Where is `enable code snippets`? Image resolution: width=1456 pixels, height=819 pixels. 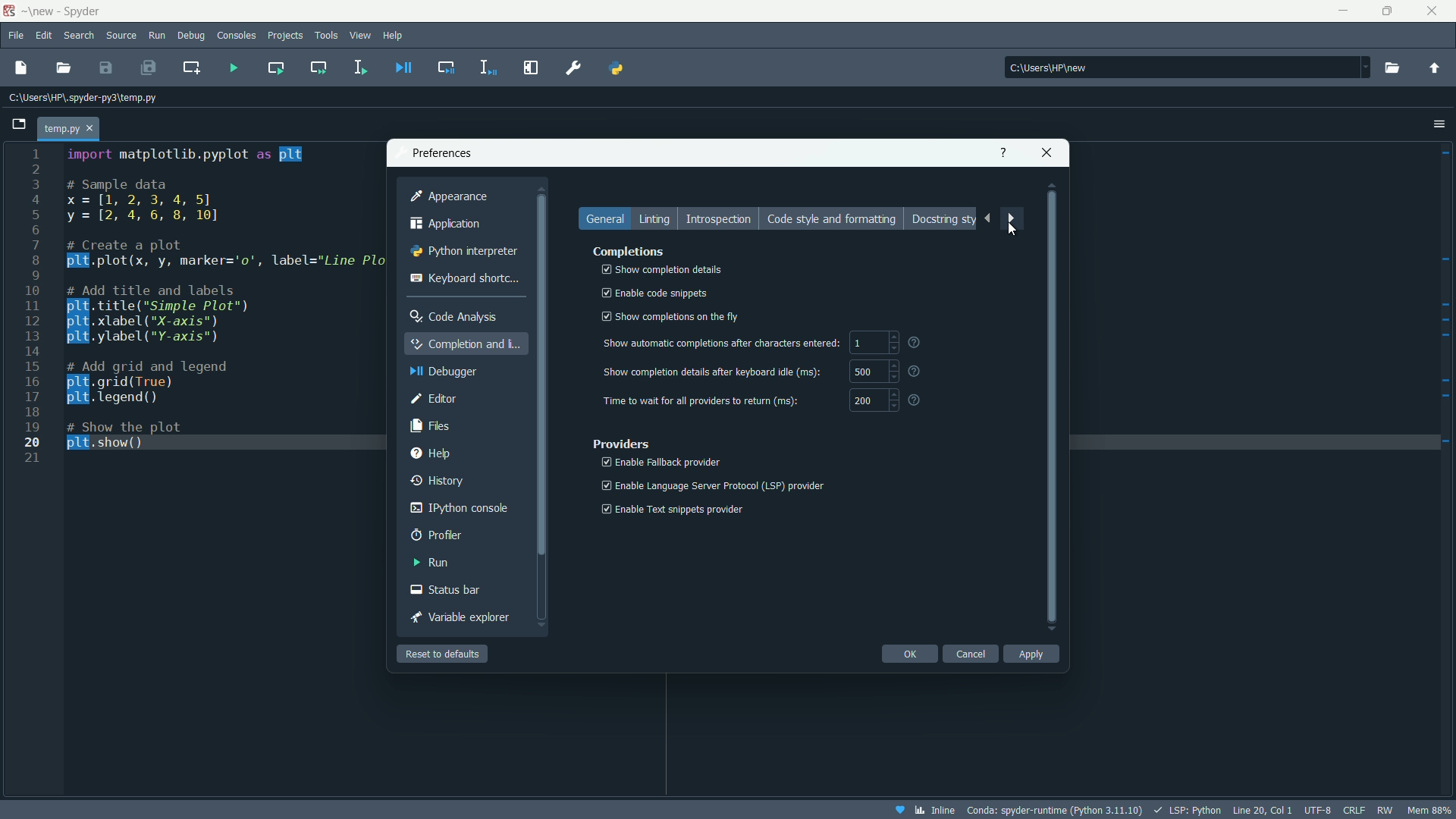 enable code snippets is located at coordinates (652, 293).